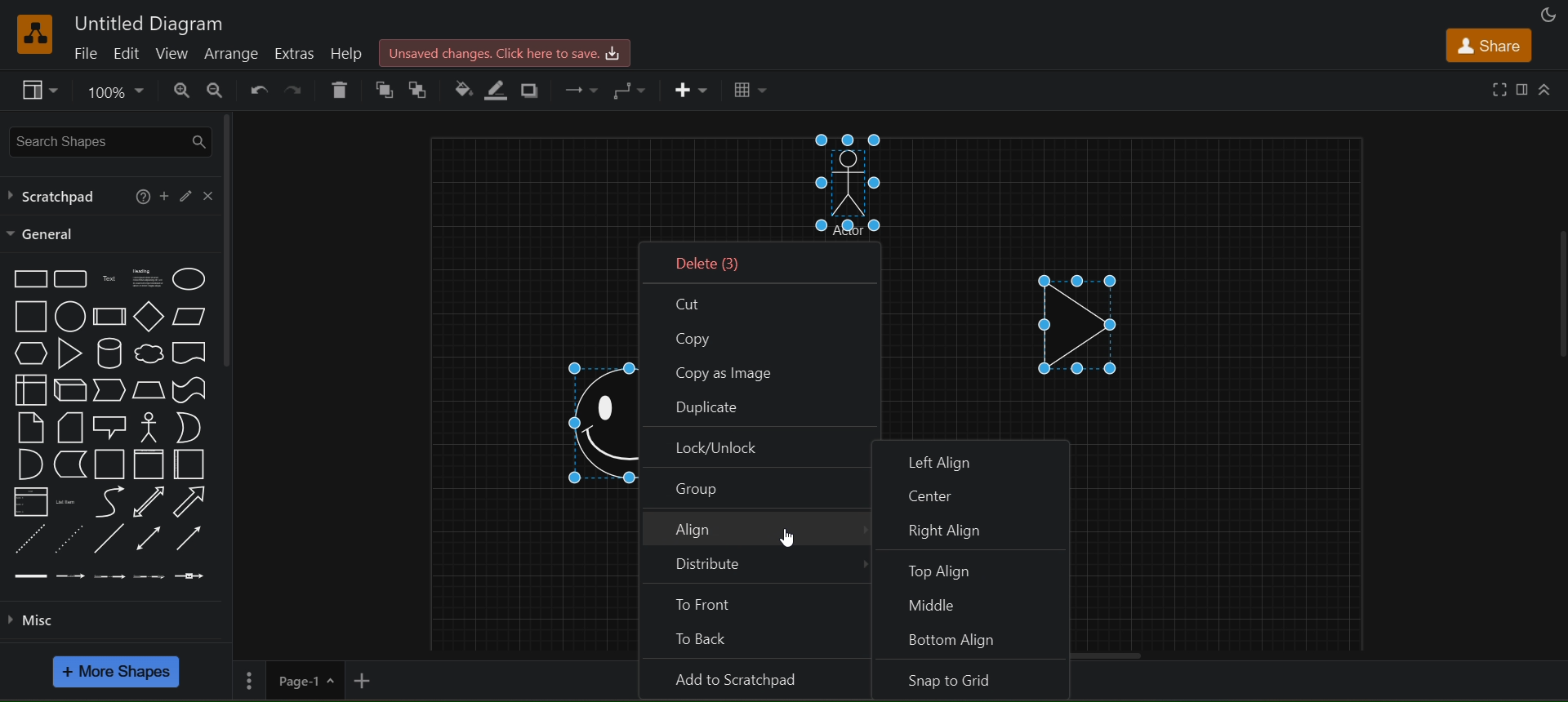 The height and width of the screenshot is (702, 1568). I want to click on notes, so click(26, 426).